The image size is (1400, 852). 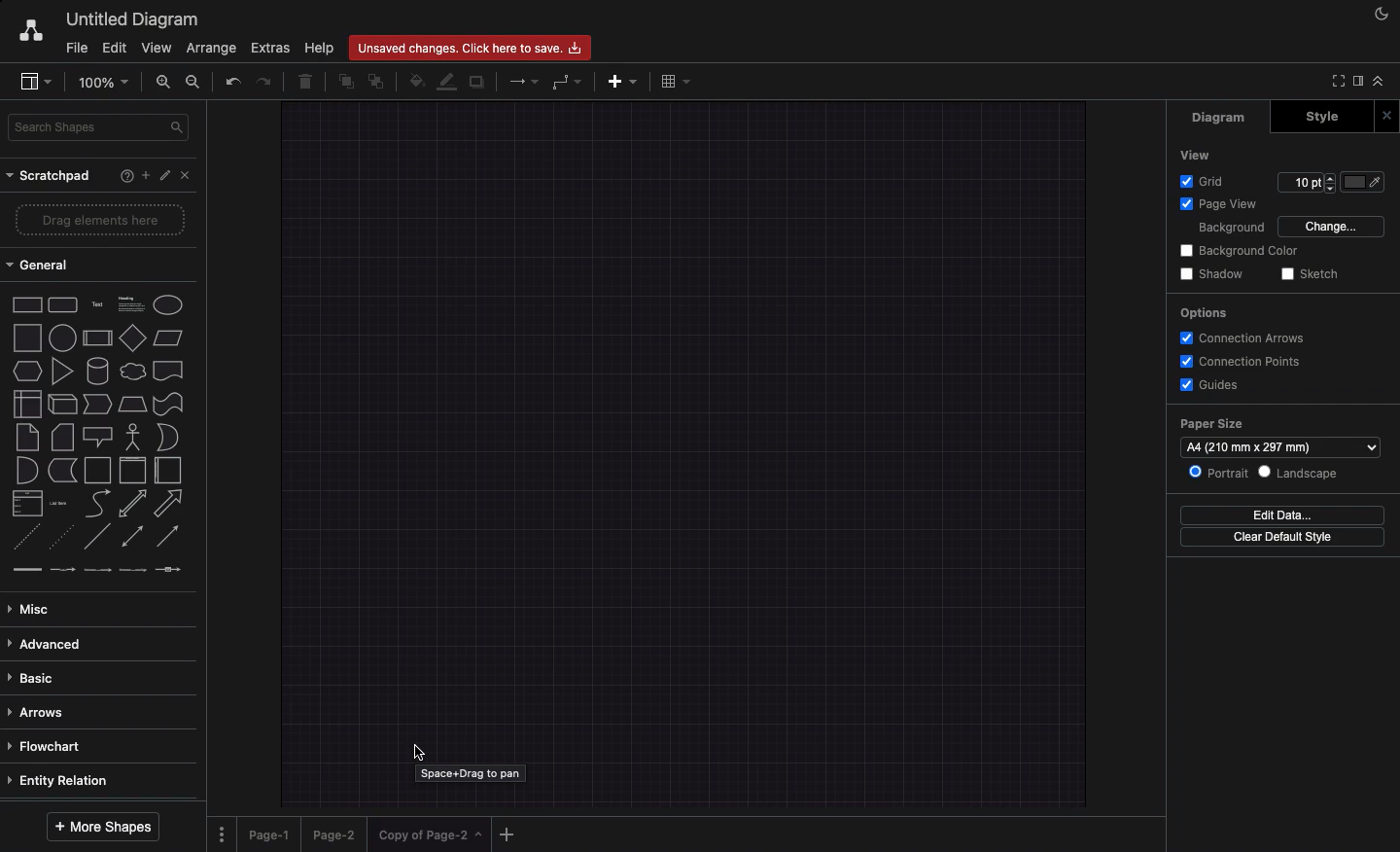 I want to click on Undo, so click(x=232, y=83).